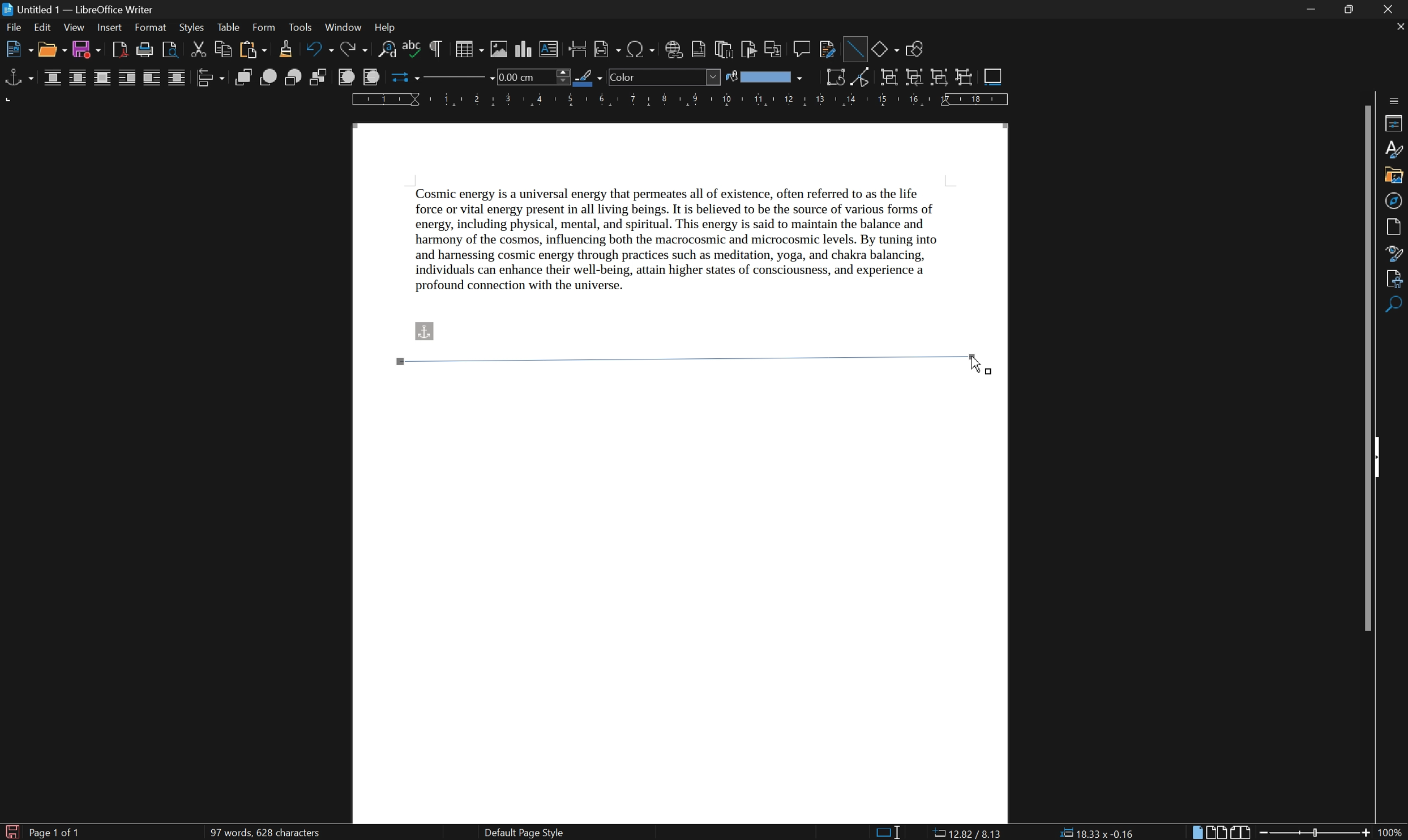  I want to click on back one, so click(295, 78).